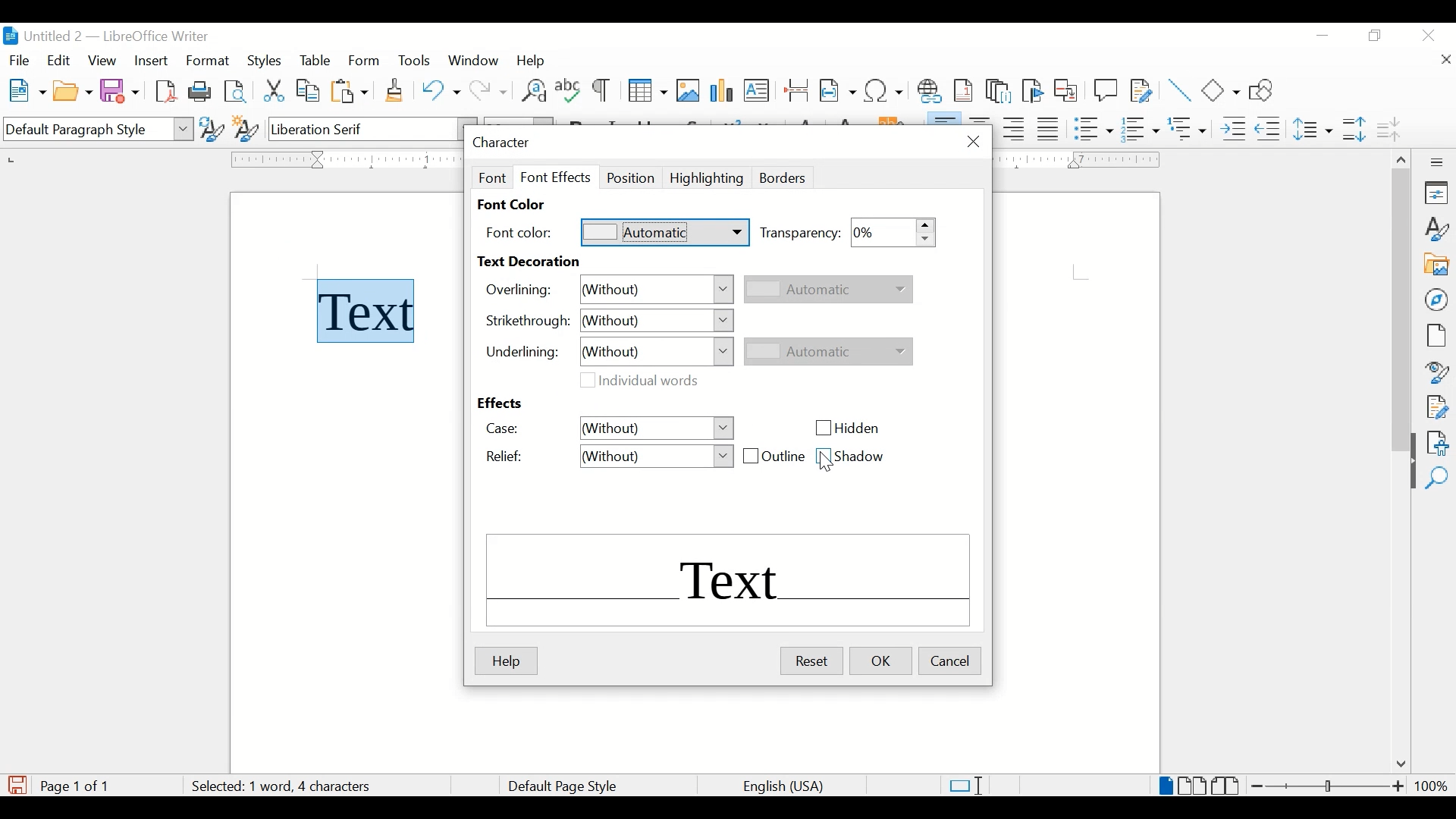  I want to click on fiel, so click(20, 61).